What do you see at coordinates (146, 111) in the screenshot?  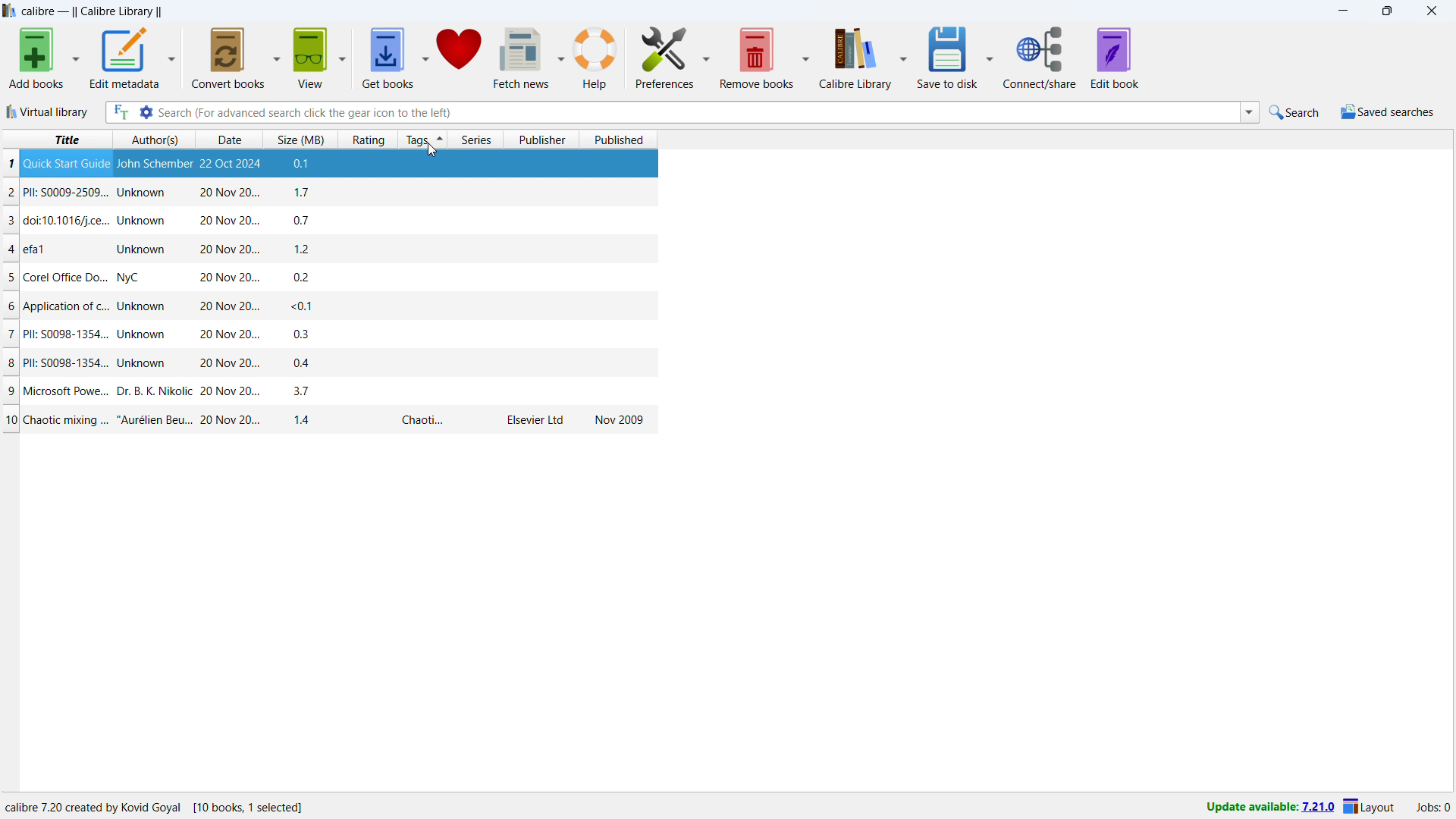 I see `advanced search` at bounding box center [146, 111].